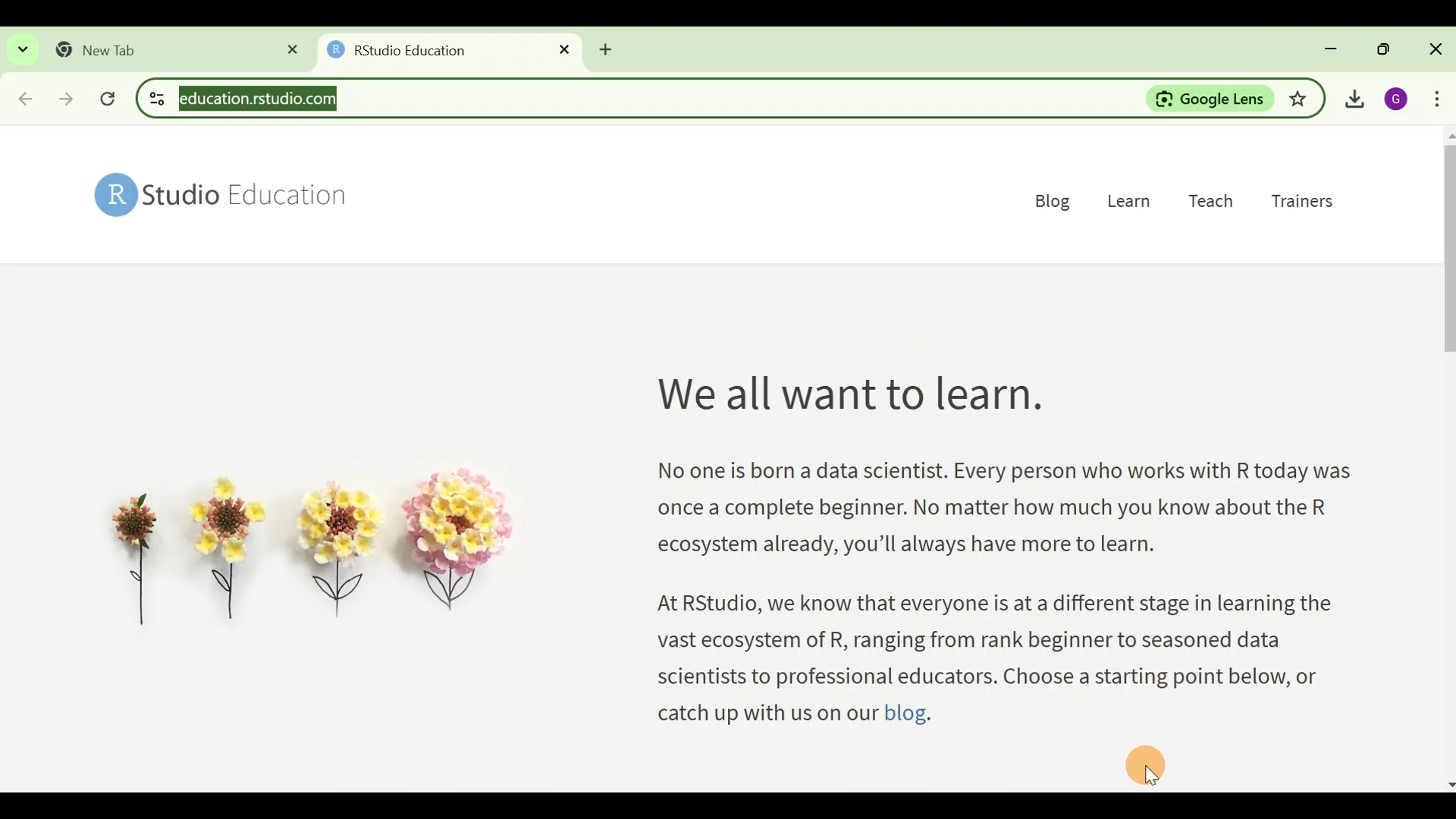 This screenshot has height=819, width=1456. What do you see at coordinates (1002, 514) in the screenshot?
I see `No one is born a data scientist. Every person who works with R today was
once a complete beginner. No matter how much you know about the R
ecosystem already, you’ll always have more to learn.` at bounding box center [1002, 514].